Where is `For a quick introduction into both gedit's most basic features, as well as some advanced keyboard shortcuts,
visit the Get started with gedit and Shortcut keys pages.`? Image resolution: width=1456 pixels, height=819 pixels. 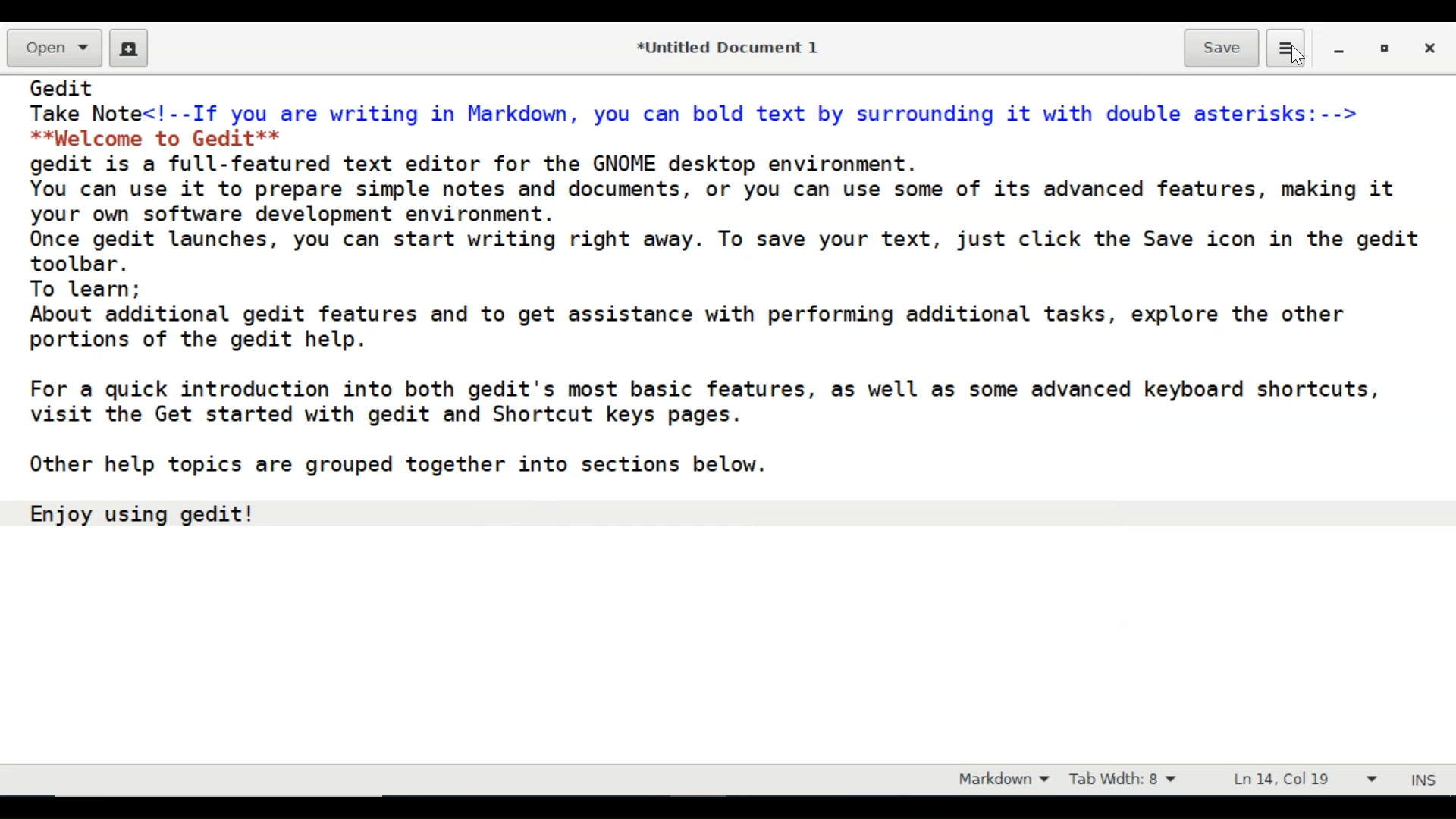
For a quick introduction into both gedit's most basic features, as well as some advanced keyboard shortcuts,
visit the Get started with gedit and Shortcut keys pages. is located at coordinates (705, 402).